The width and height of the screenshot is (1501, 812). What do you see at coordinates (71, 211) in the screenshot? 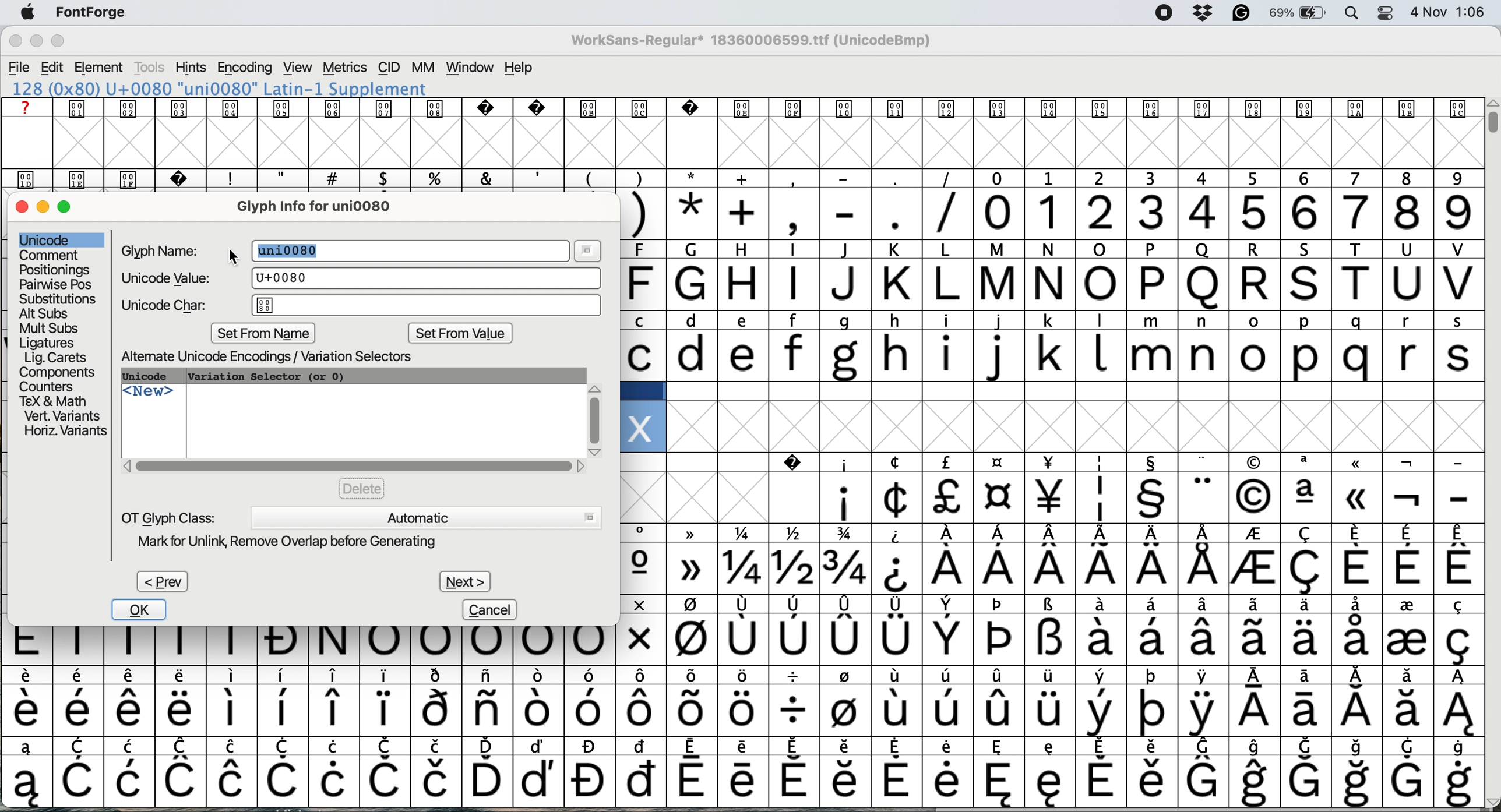
I see `maximise` at bounding box center [71, 211].